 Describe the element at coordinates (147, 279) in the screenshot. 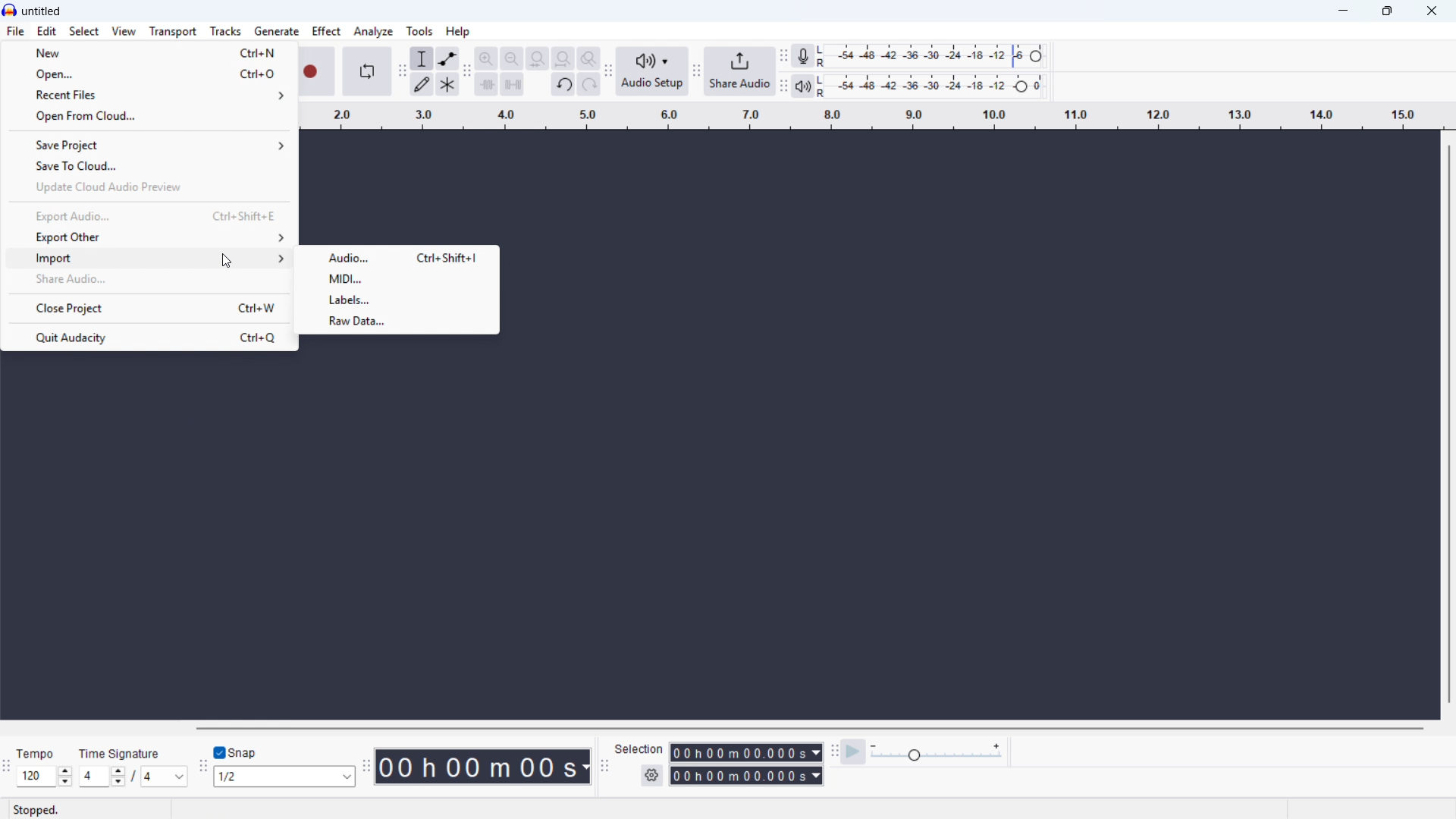

I see `Share audio ` at that location.